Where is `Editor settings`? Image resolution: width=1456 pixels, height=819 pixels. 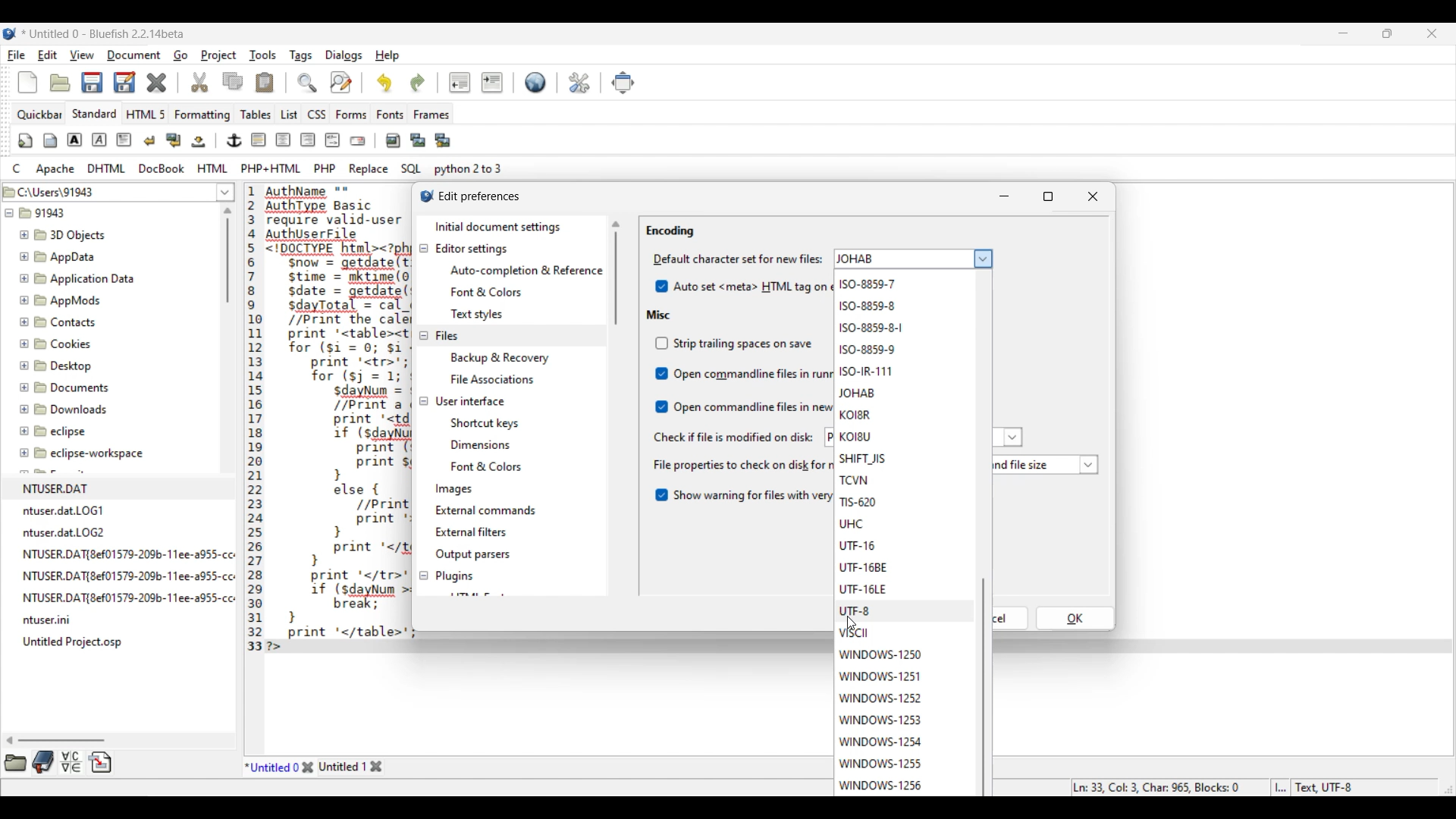
Editor settings is located at coordinates (473, 249).